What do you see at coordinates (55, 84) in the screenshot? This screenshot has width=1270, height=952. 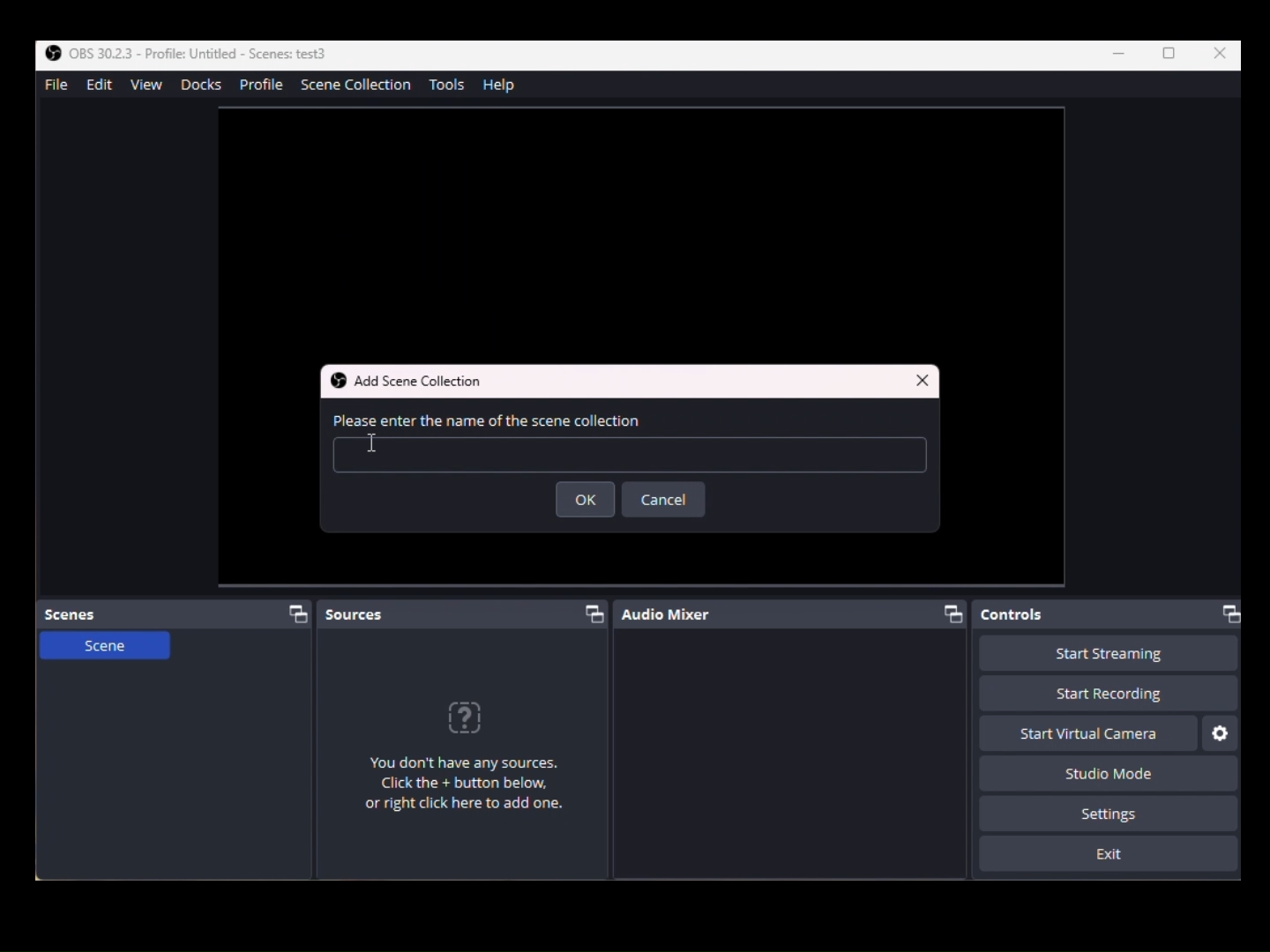 I see `File` at bounding box center [55, 84].